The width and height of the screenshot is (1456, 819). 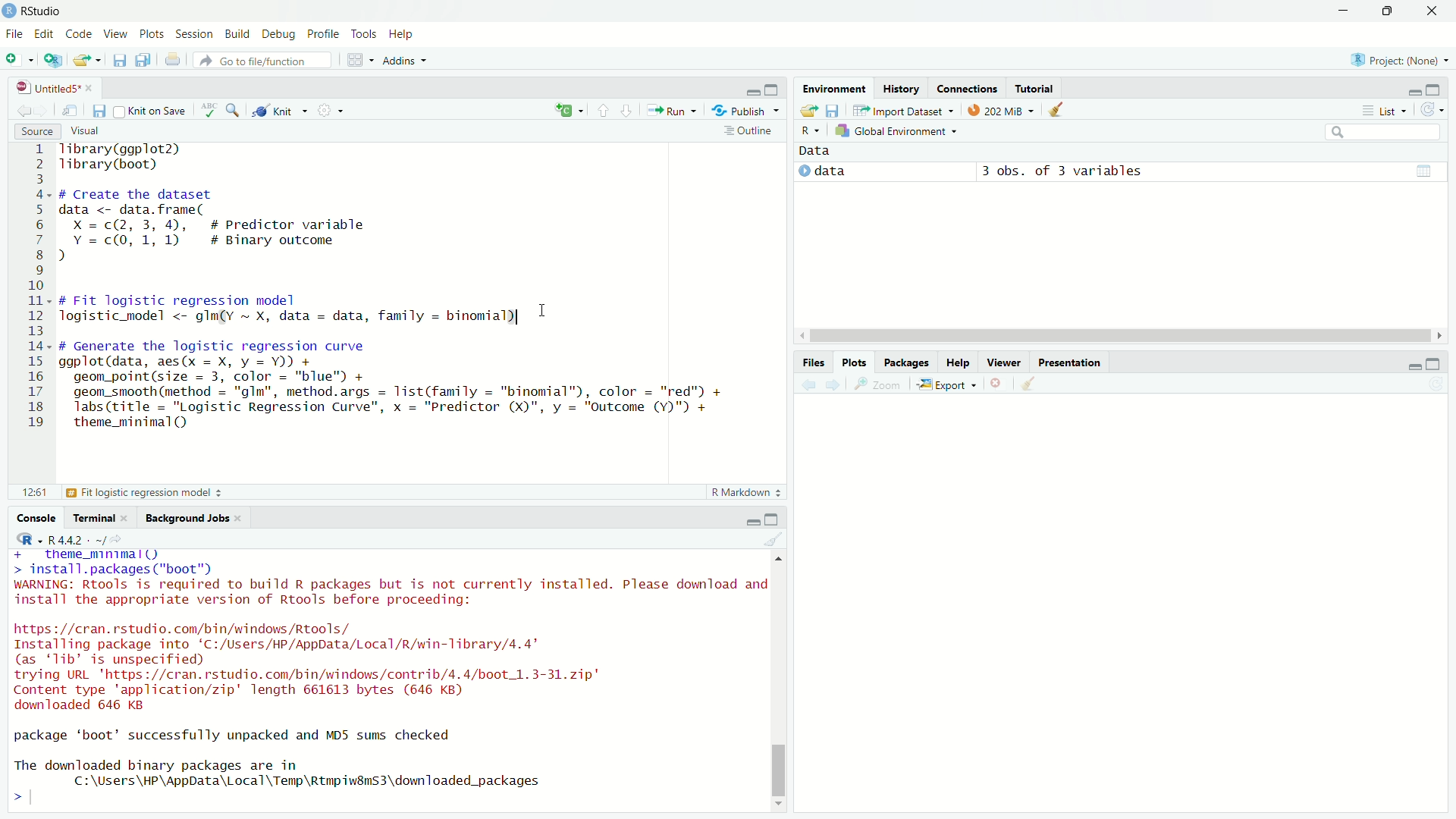 I want to click on Go to file/function, so click(x=262, y=60).